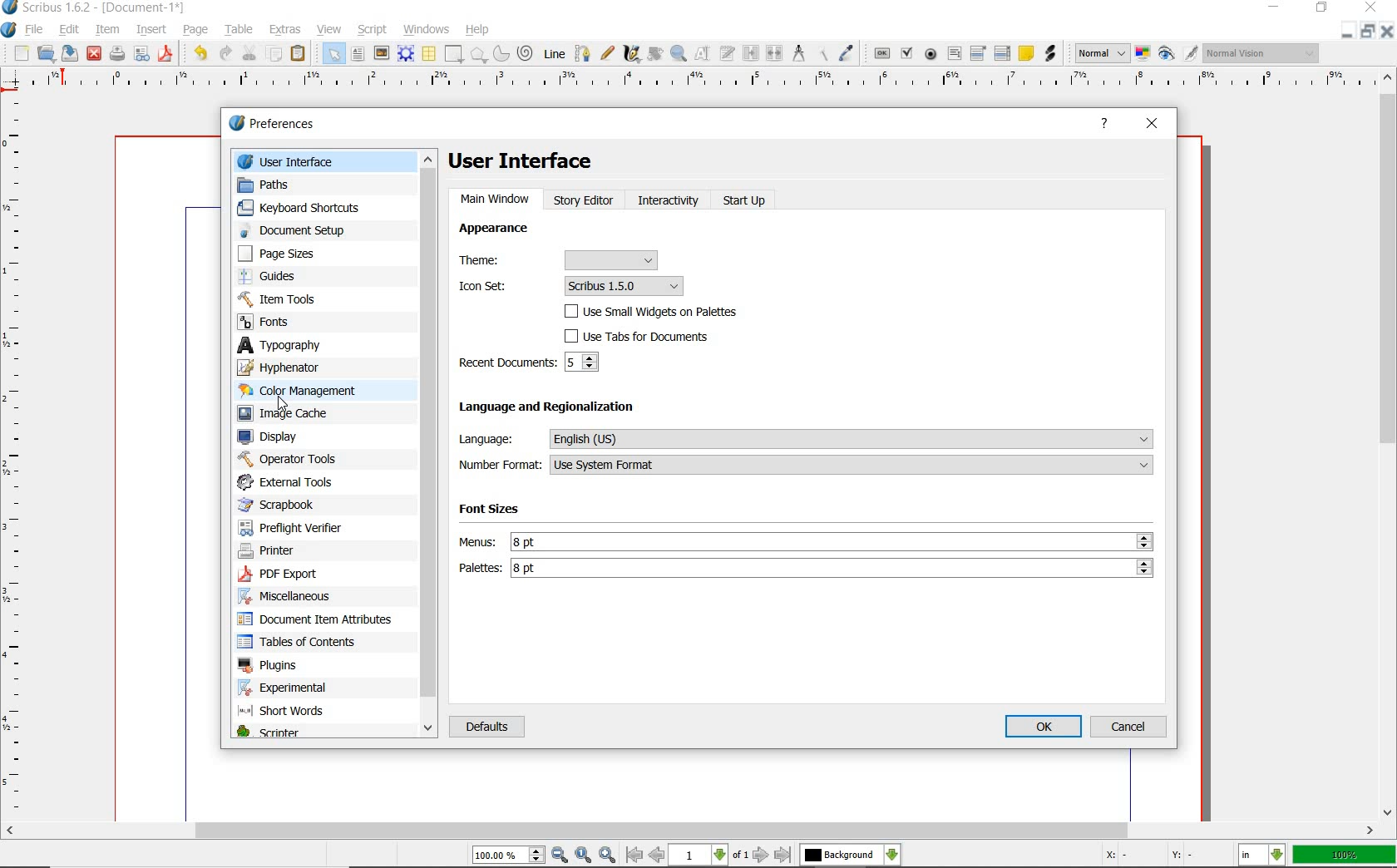 The height and width of the screenshot is (868, 1397). Describe the element at coordinates (197, 31) in the screenshot. I see `page` at that location.